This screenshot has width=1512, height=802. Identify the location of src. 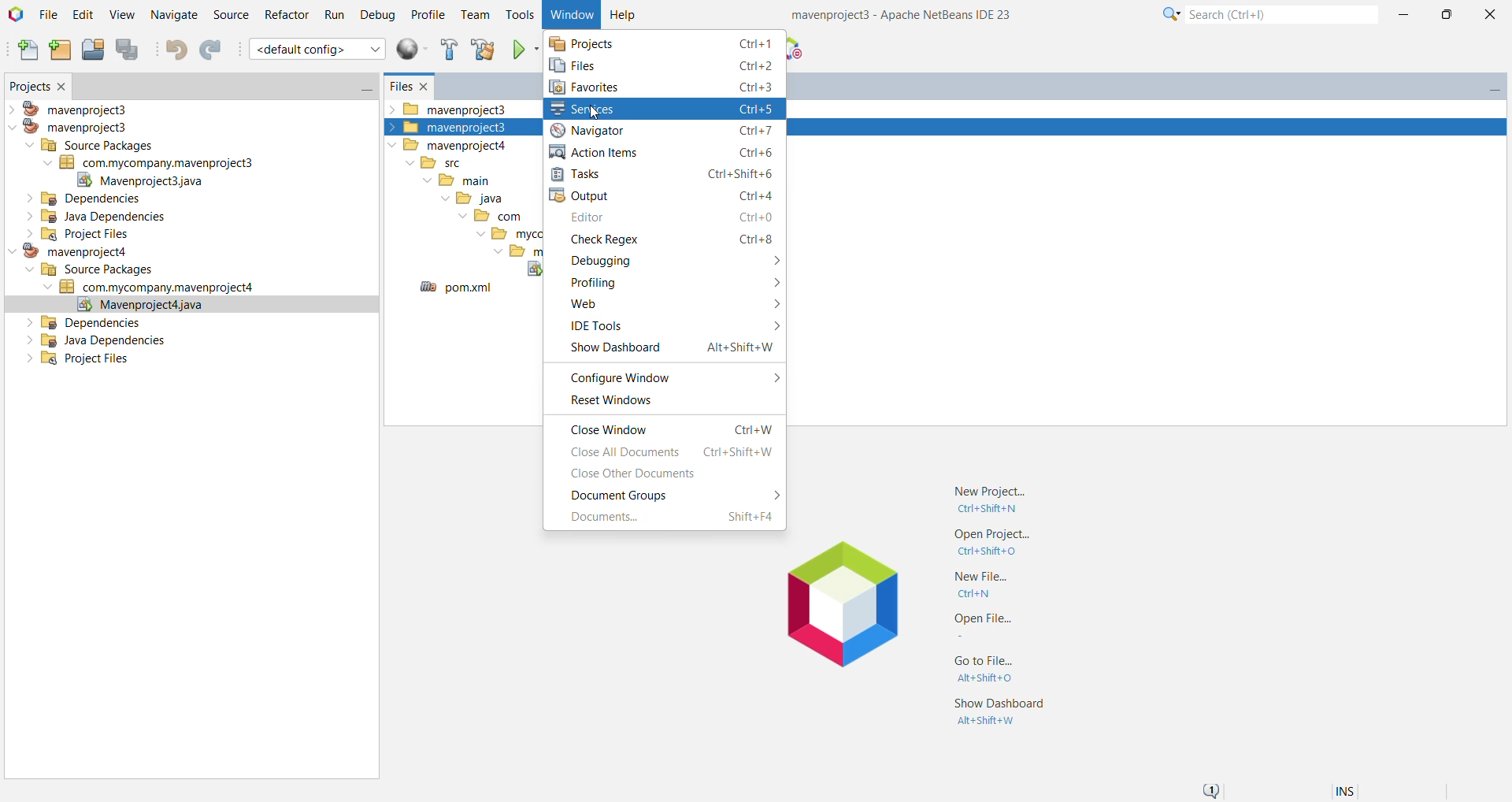
(436, 163).